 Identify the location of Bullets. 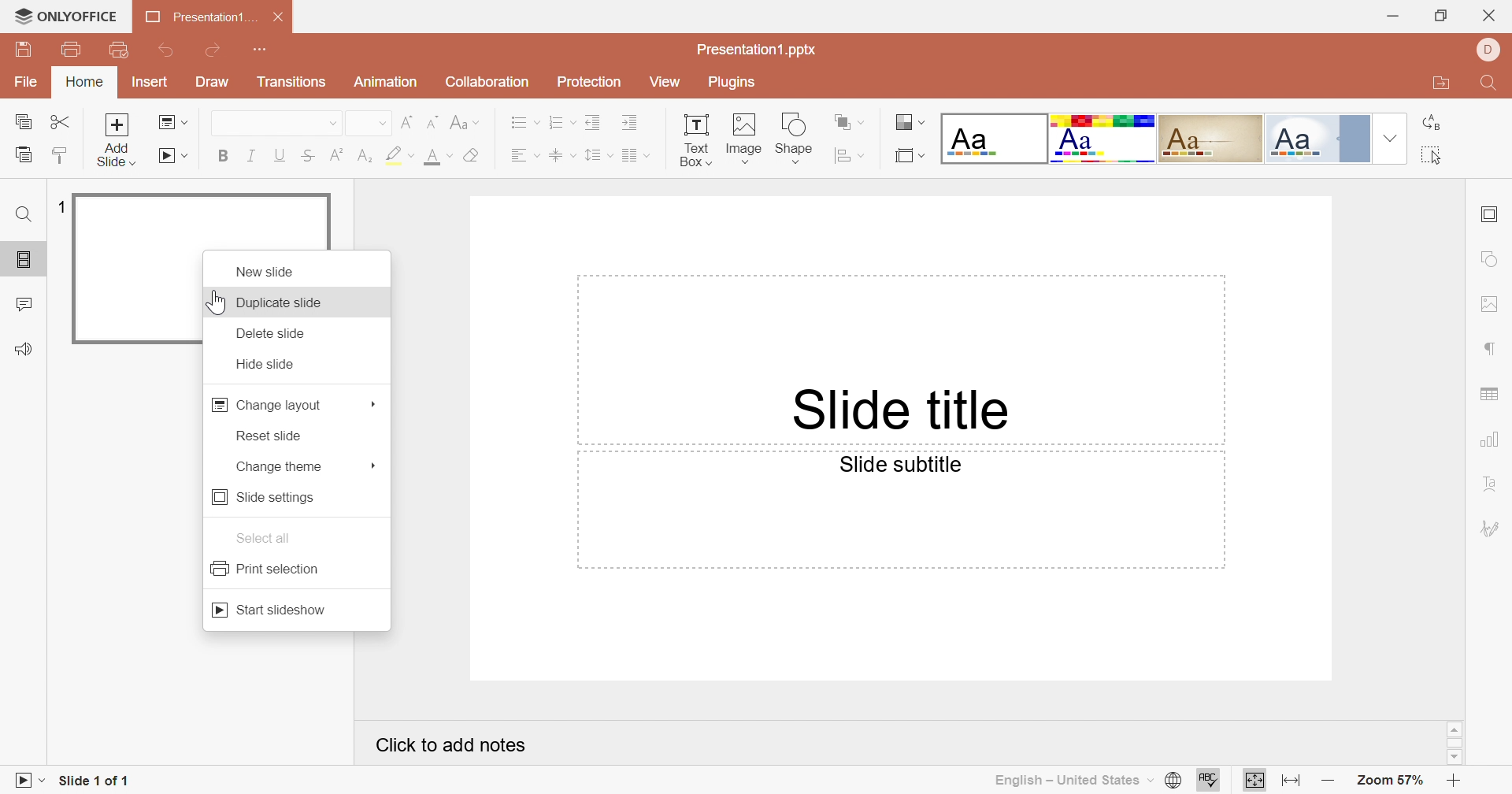
(521, 122).